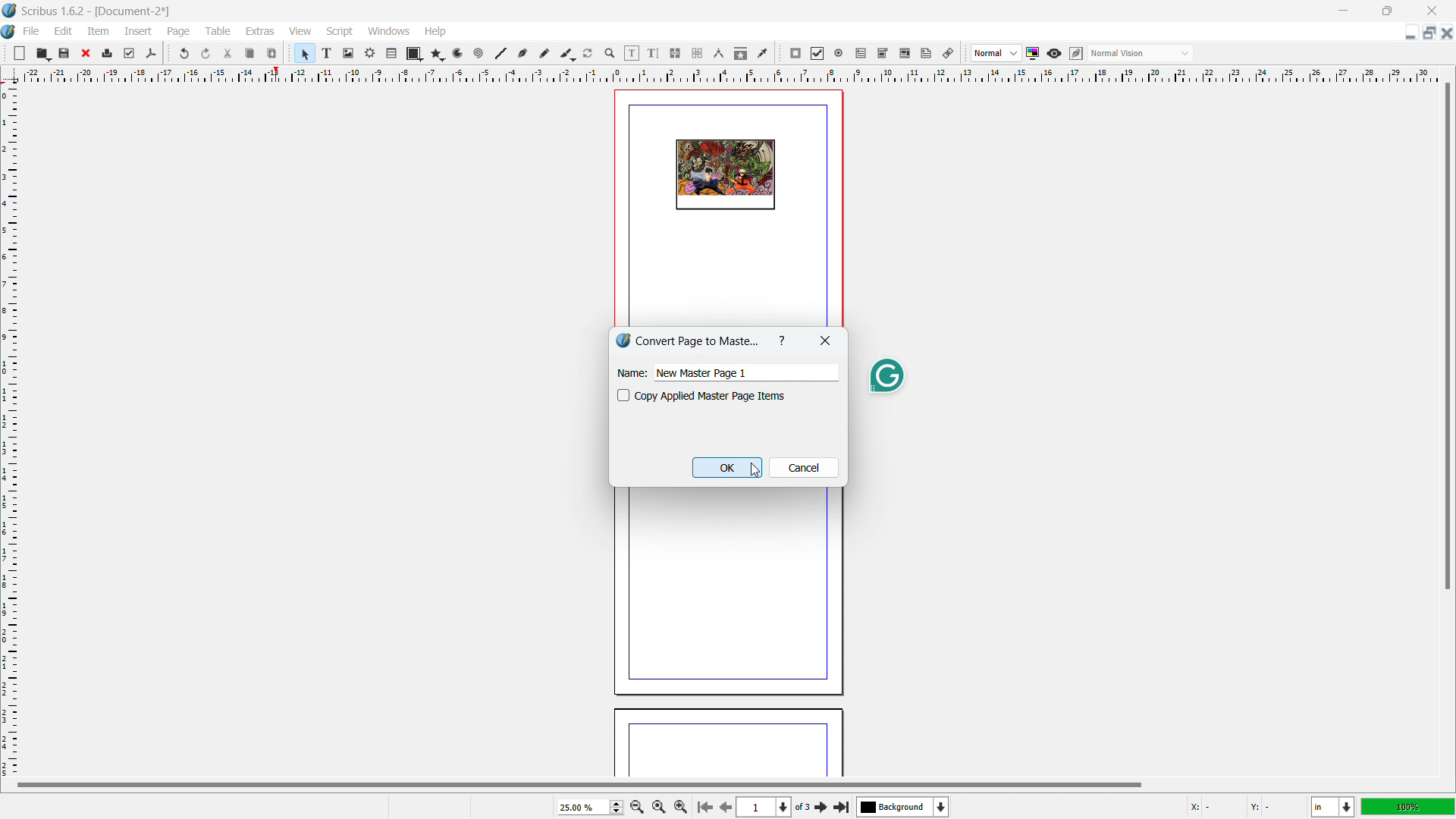 Image resolution: width=1456 pixels, height=819 pixels. I want to click on logo, so click(622, 340).